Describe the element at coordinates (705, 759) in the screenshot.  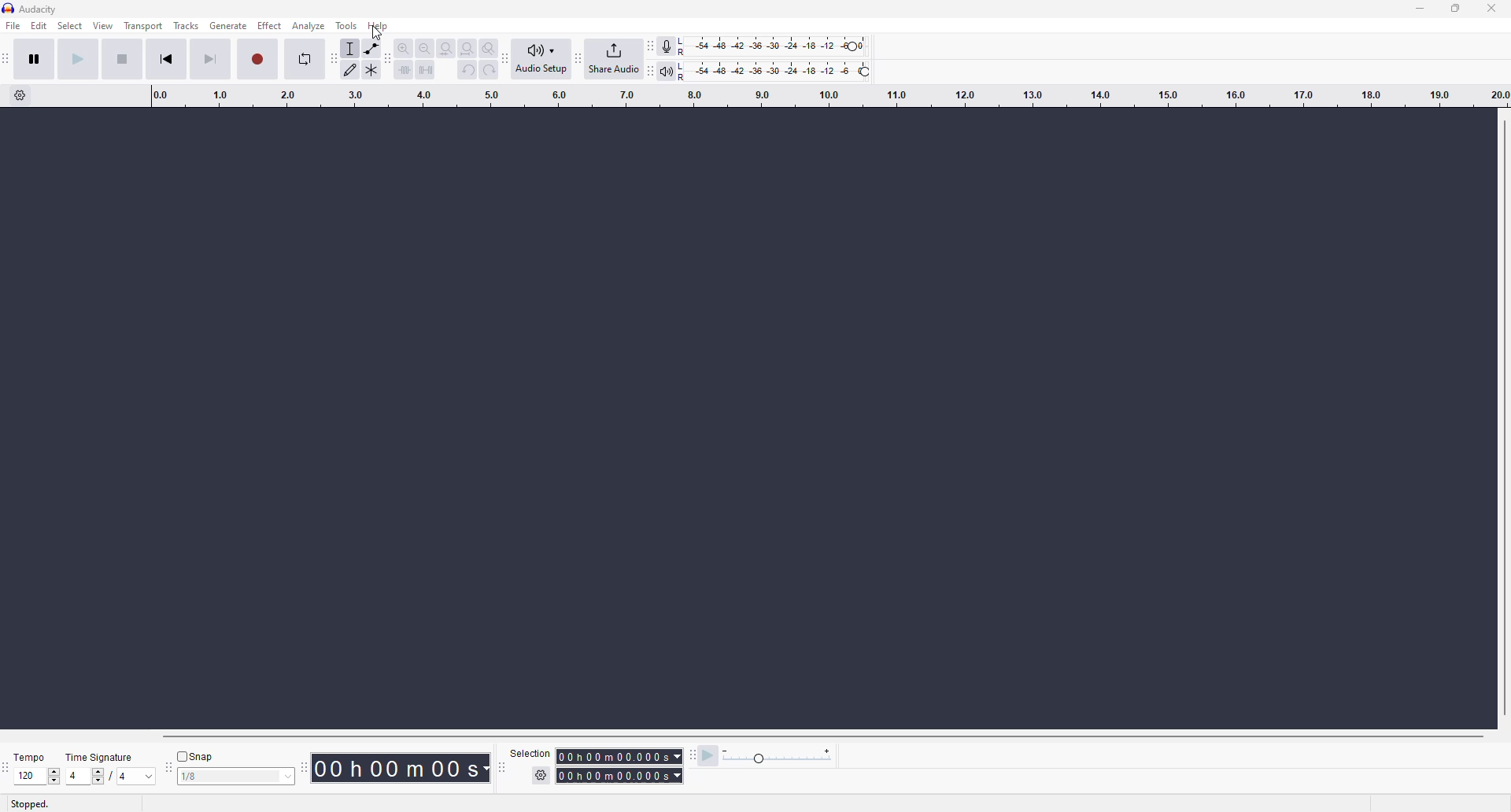
I see `play at speed` at that location.